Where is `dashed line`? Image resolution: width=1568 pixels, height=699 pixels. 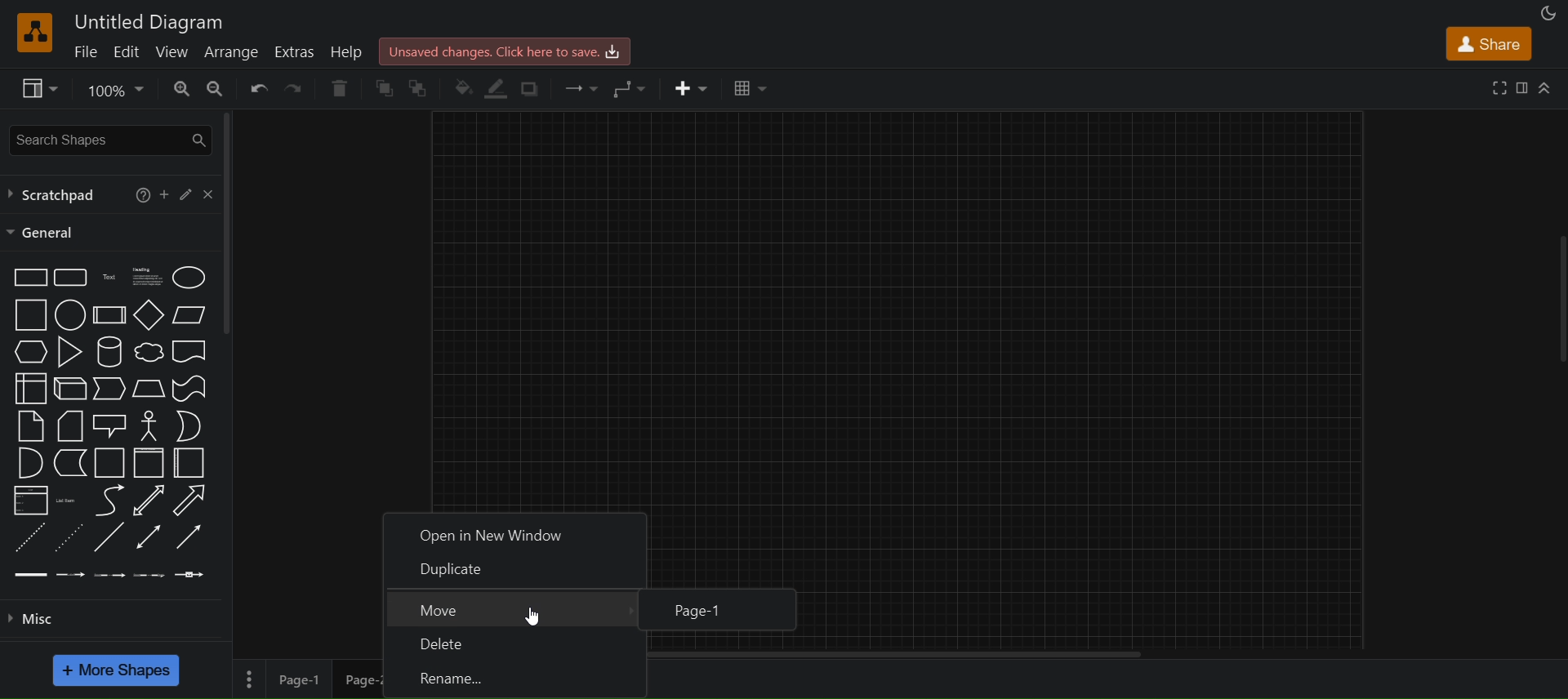
dashed line is located at coordinates (27, 536).